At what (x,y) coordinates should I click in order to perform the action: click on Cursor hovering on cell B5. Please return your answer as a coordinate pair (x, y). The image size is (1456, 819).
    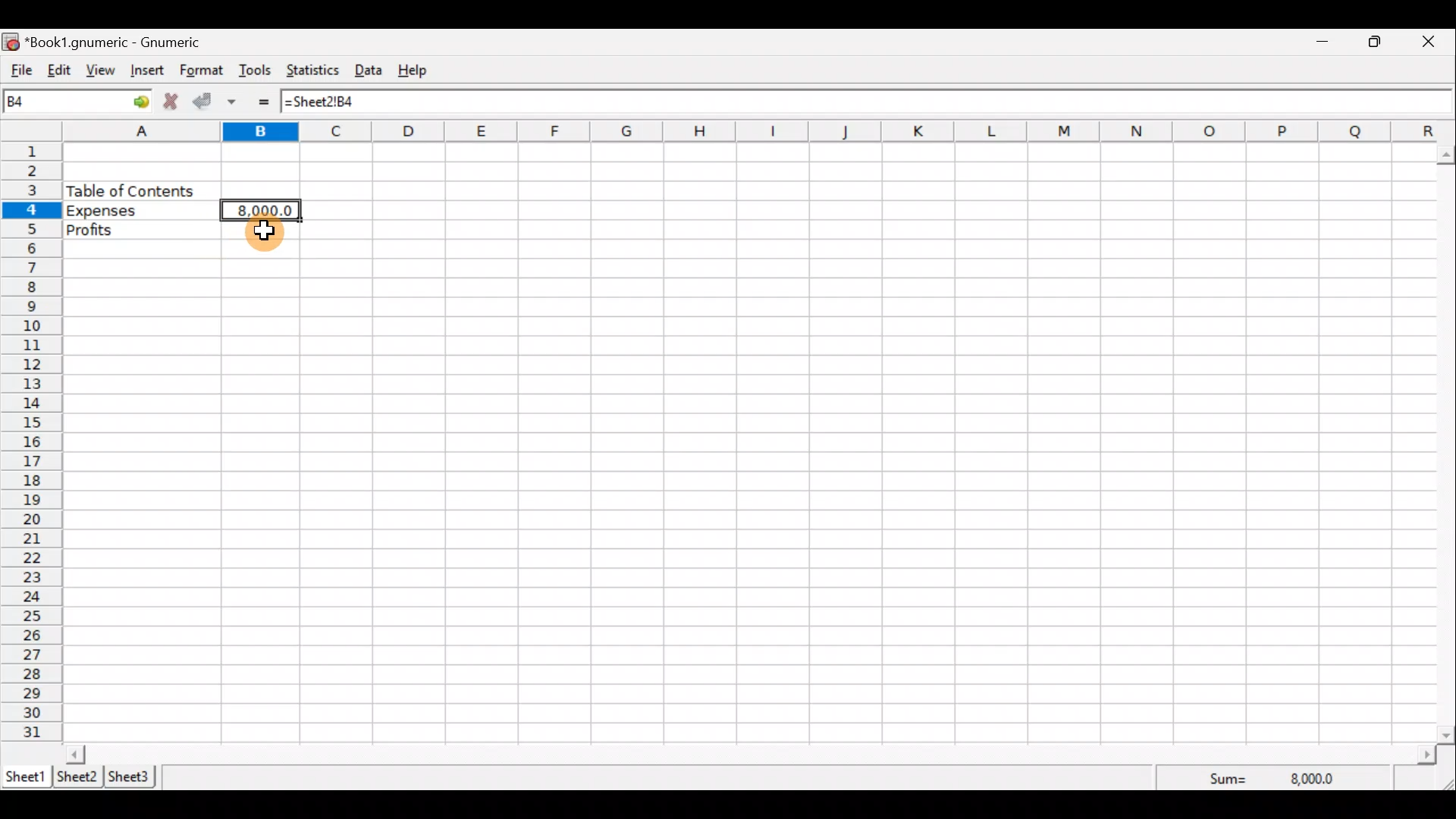
    Looking at the image, I should click on (265, 240).